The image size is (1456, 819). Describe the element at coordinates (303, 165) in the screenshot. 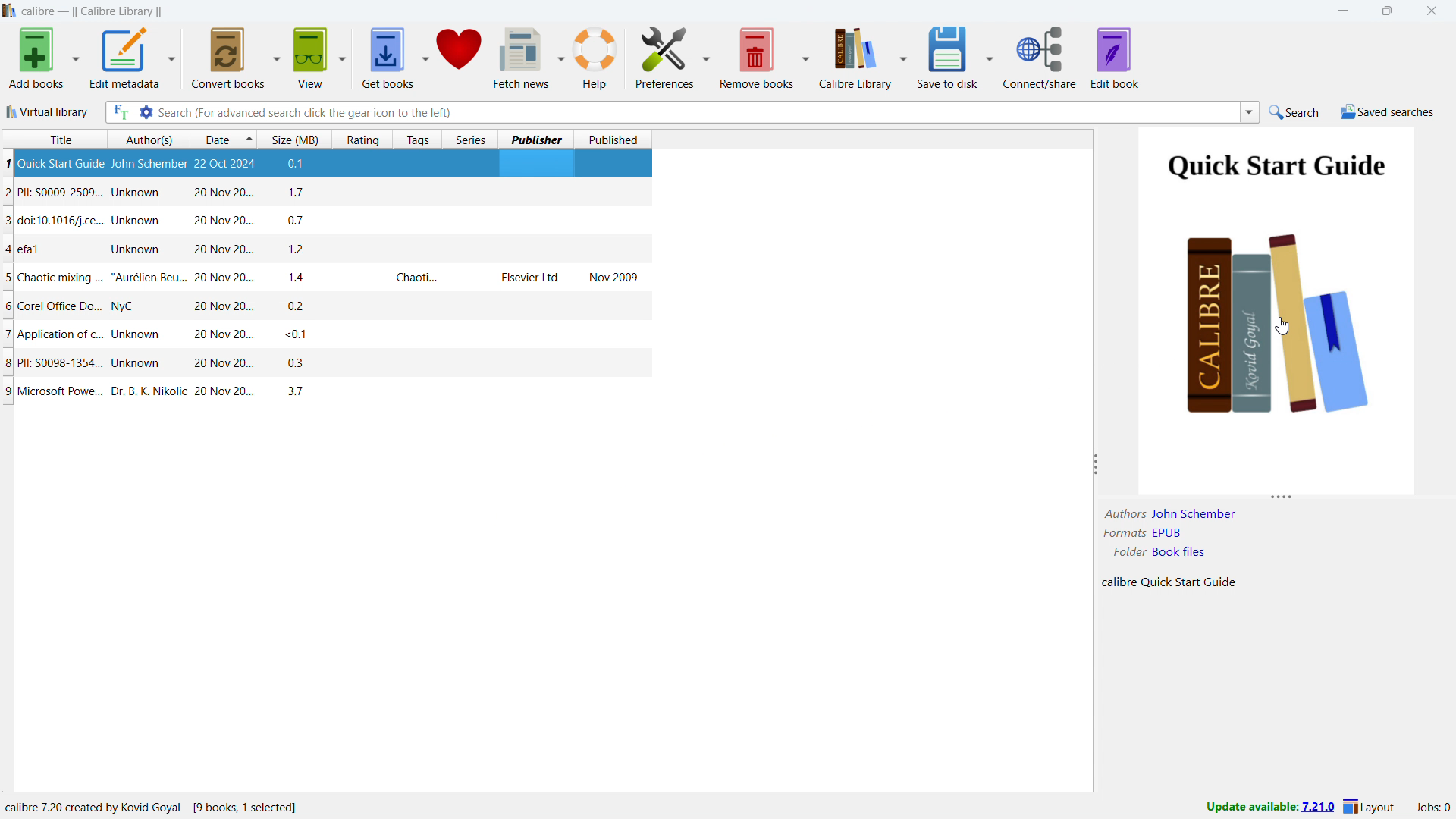

I see `0.1` at that location.